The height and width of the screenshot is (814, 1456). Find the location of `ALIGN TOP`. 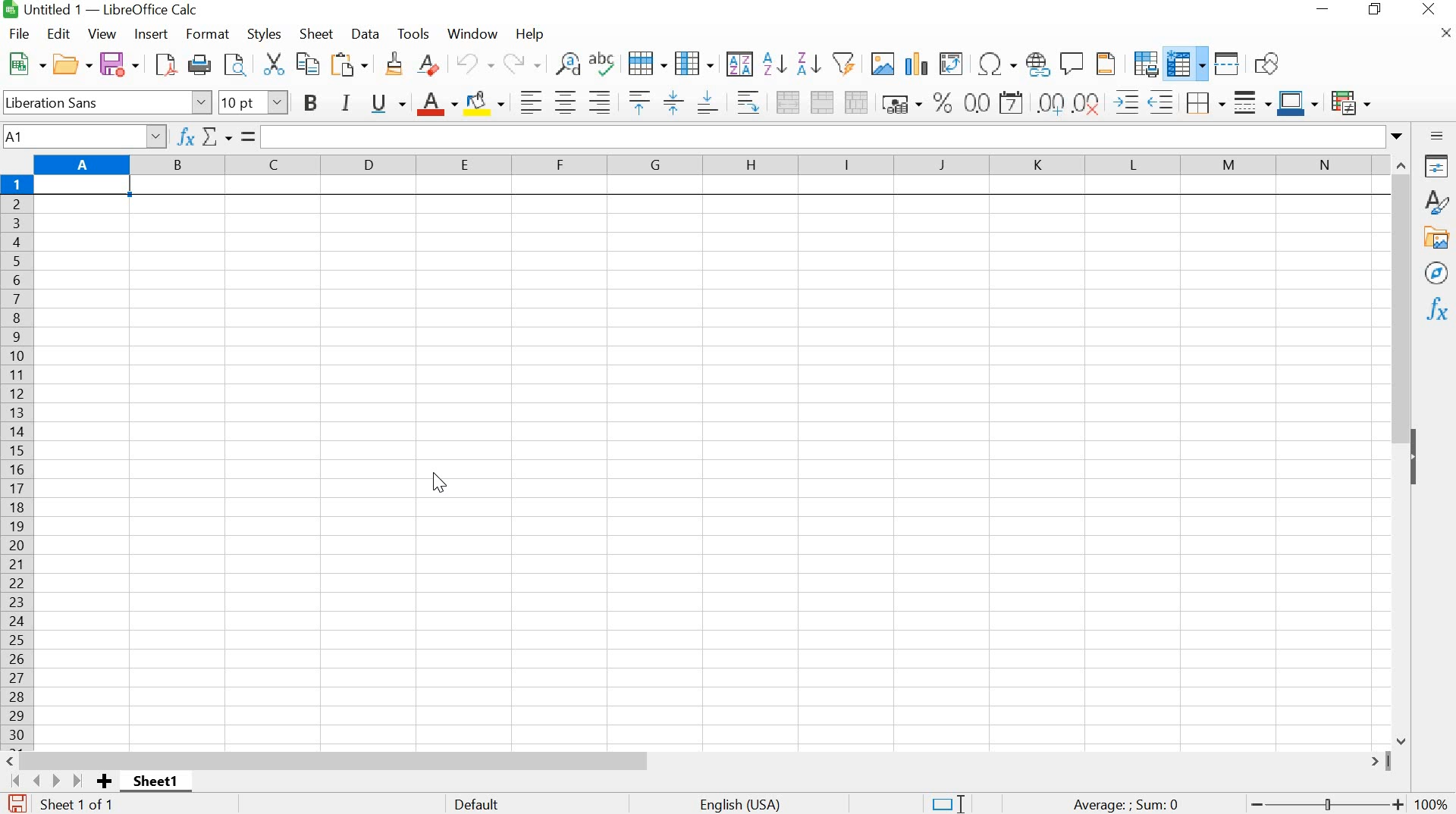

ALIGN TOP is located at coordinates (635, 102).